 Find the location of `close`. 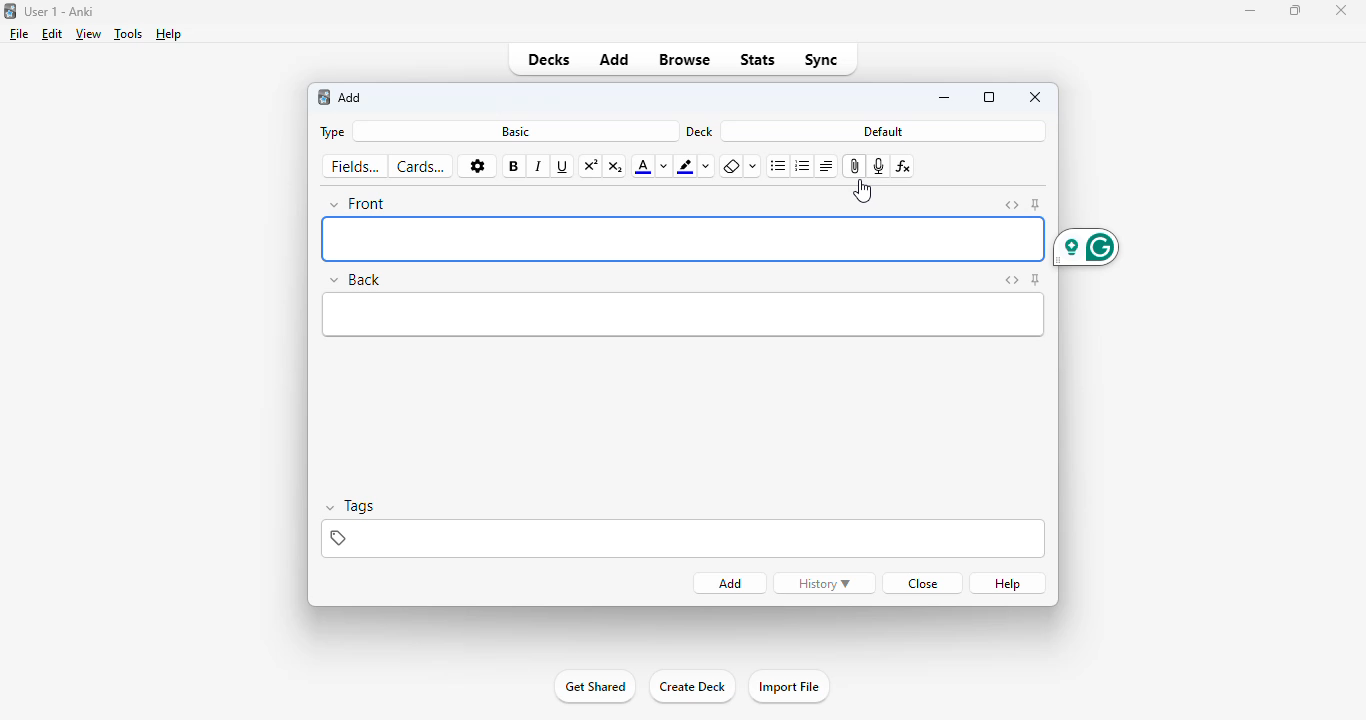

close is located at coordinates (1036, 97).